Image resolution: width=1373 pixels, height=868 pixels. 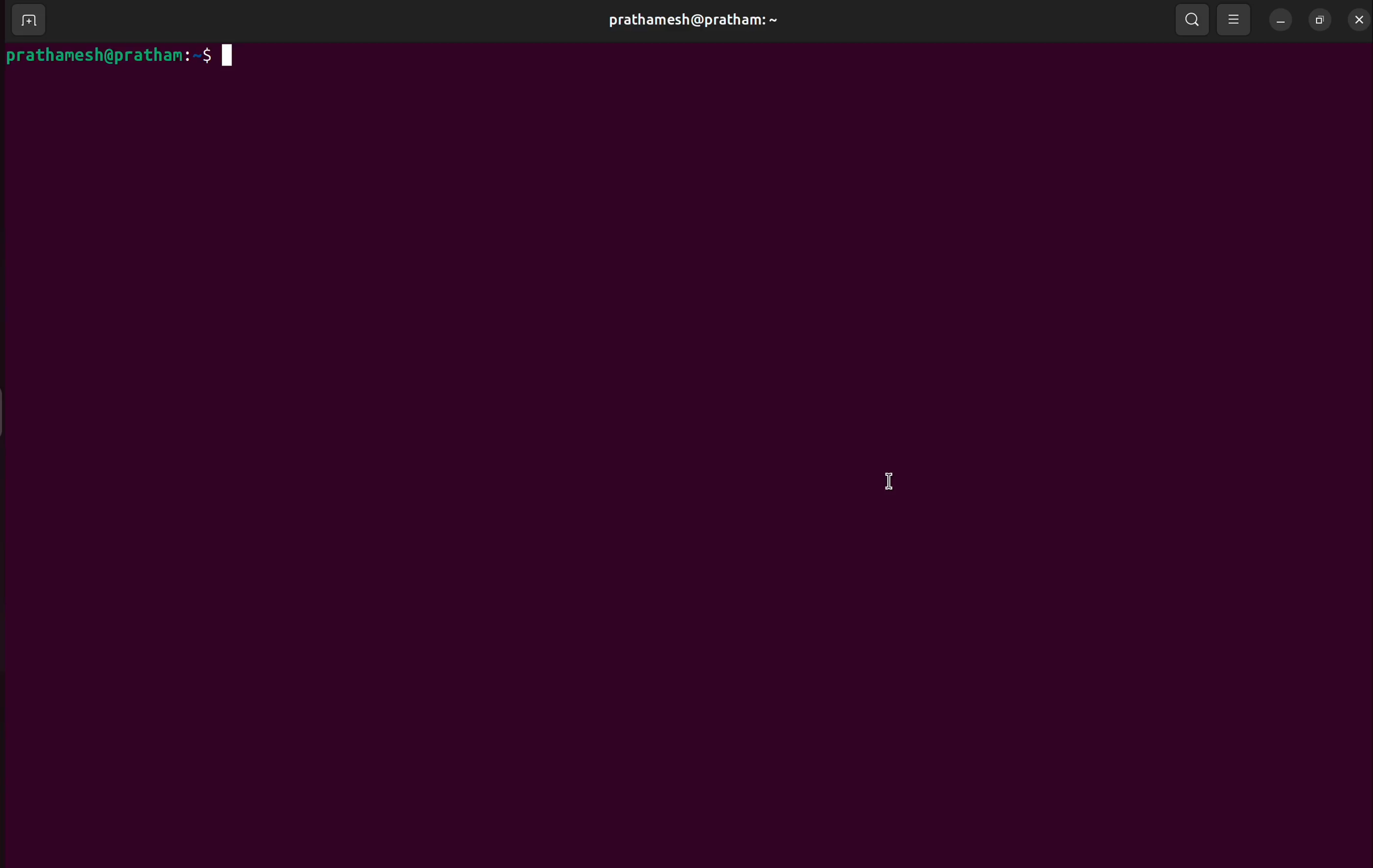 What do you see at coordinates (1195, 18) in the screenshot?
I see `search` at bounding box center [1195, 18].